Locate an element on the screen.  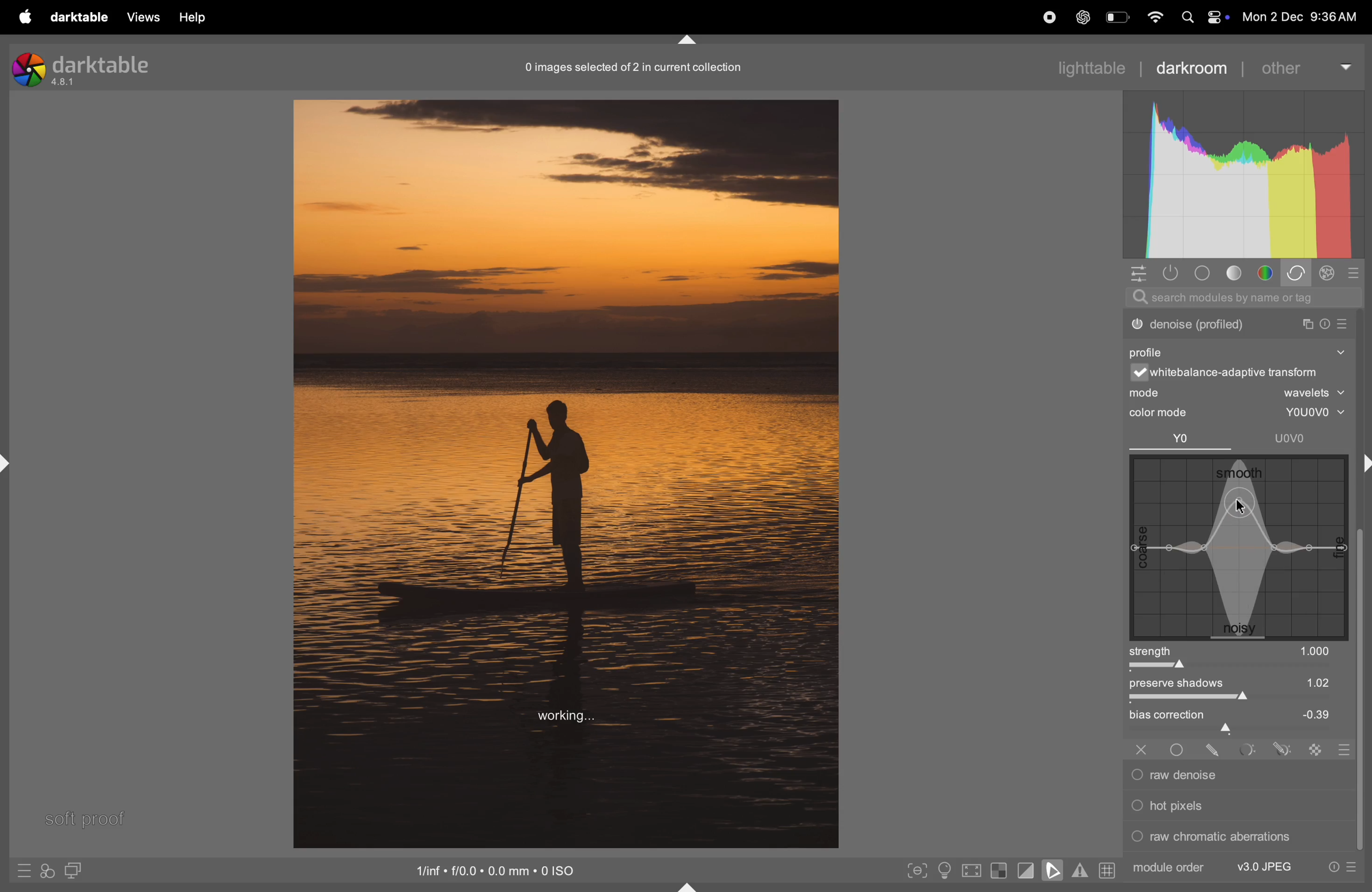
toggle peak focusing is located at coordinates (917, 870).